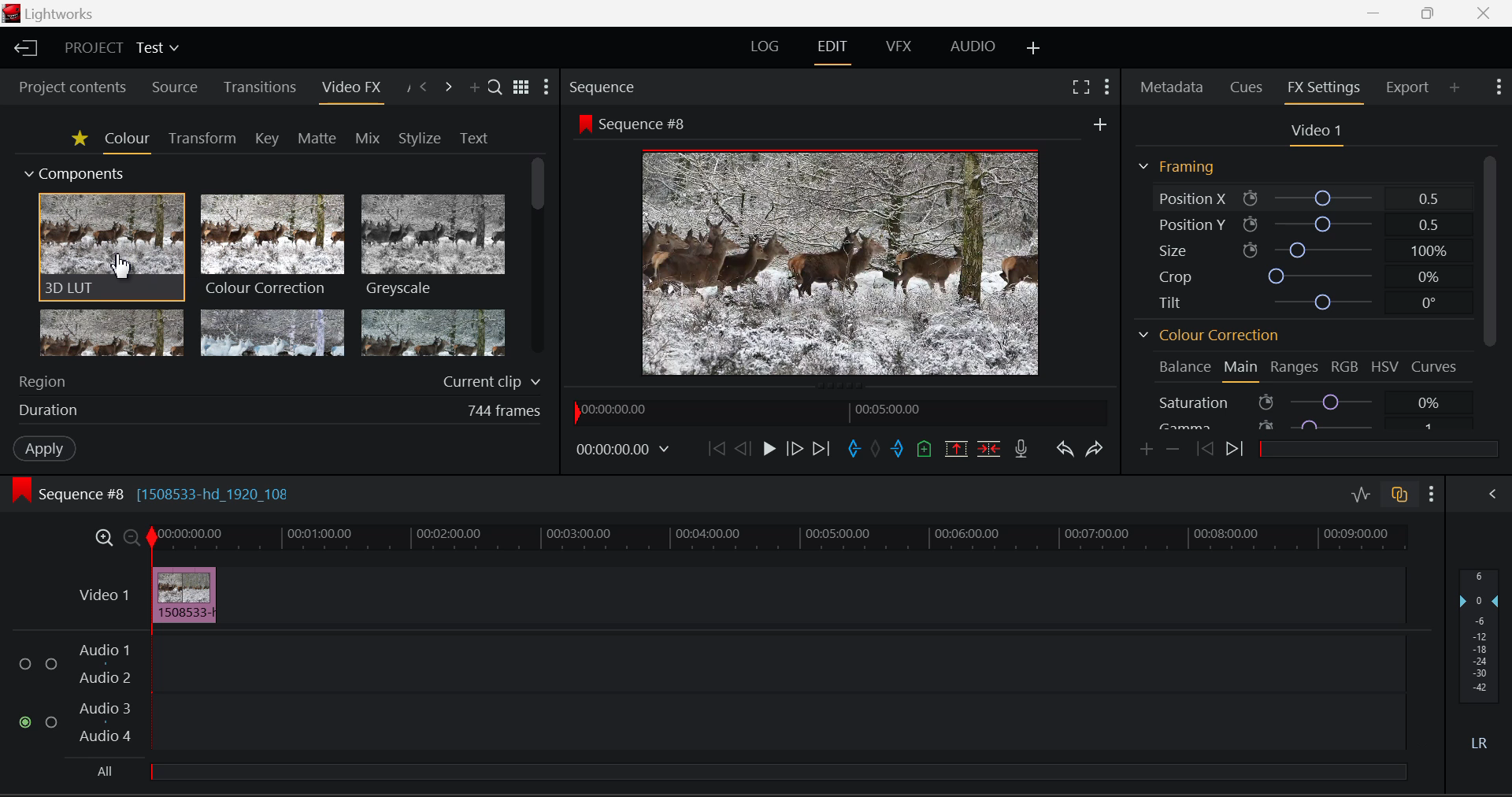 The height and width of the screenshot is (797, 1512). Describe the element at coordinates (1376, 13) in the screenshot. I see `Restore Down` at that location.